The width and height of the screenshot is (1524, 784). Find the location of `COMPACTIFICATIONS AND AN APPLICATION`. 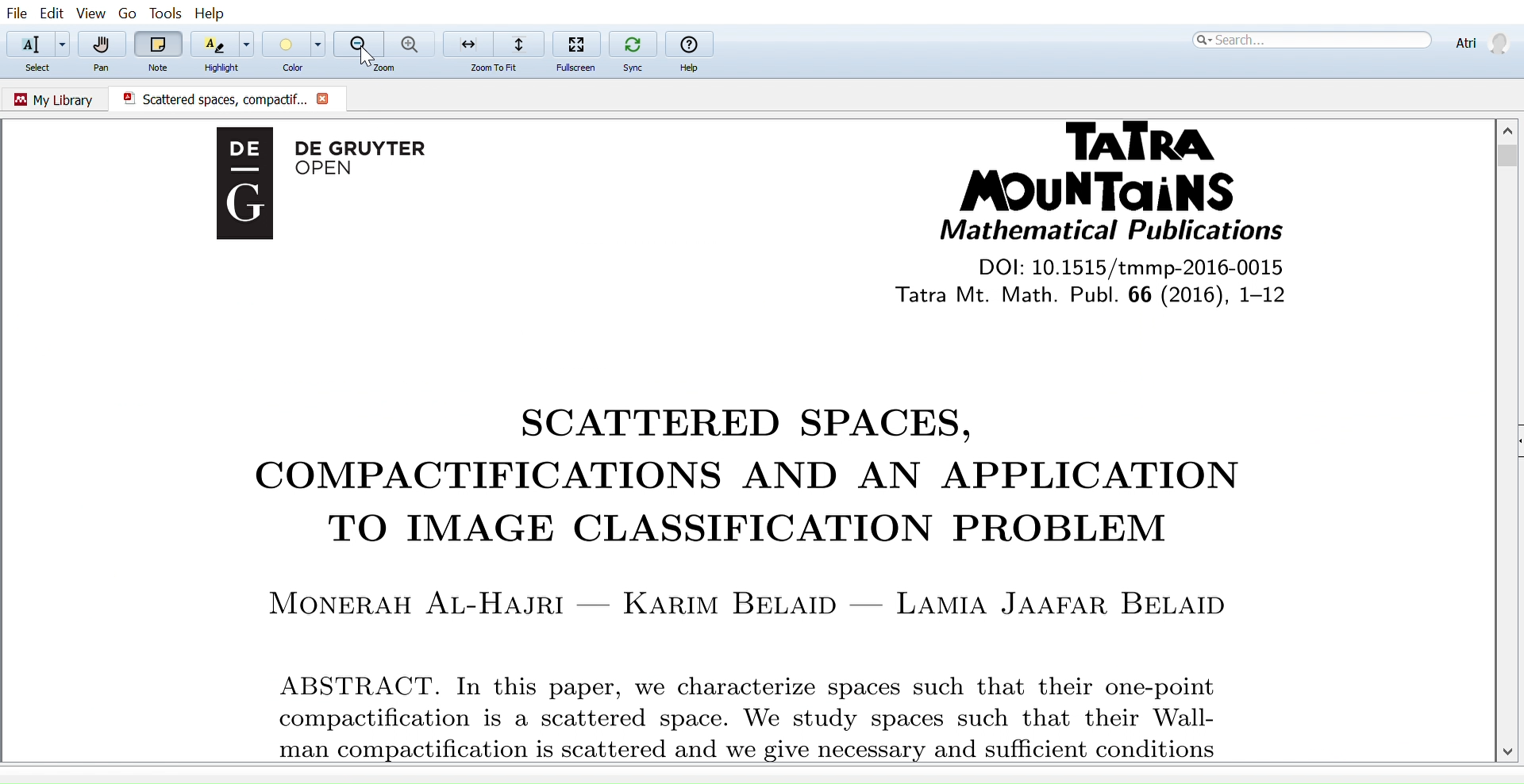

COMPACTIFICATIONS AND AN APPLICATION is located at coordinates (749, 478).